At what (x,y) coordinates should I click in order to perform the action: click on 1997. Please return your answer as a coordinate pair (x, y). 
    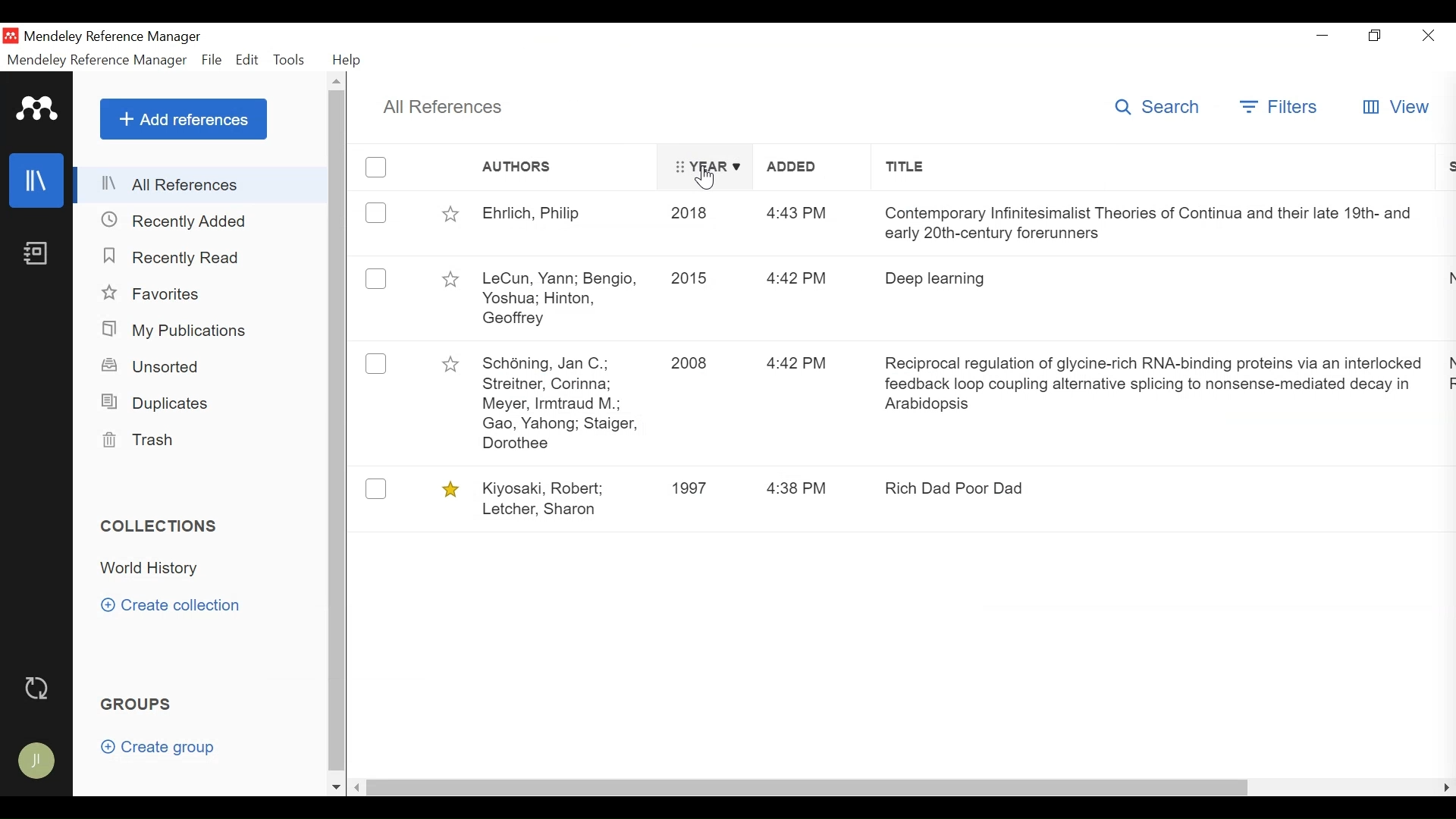
    Looking at the image, I should click on (695, 487).